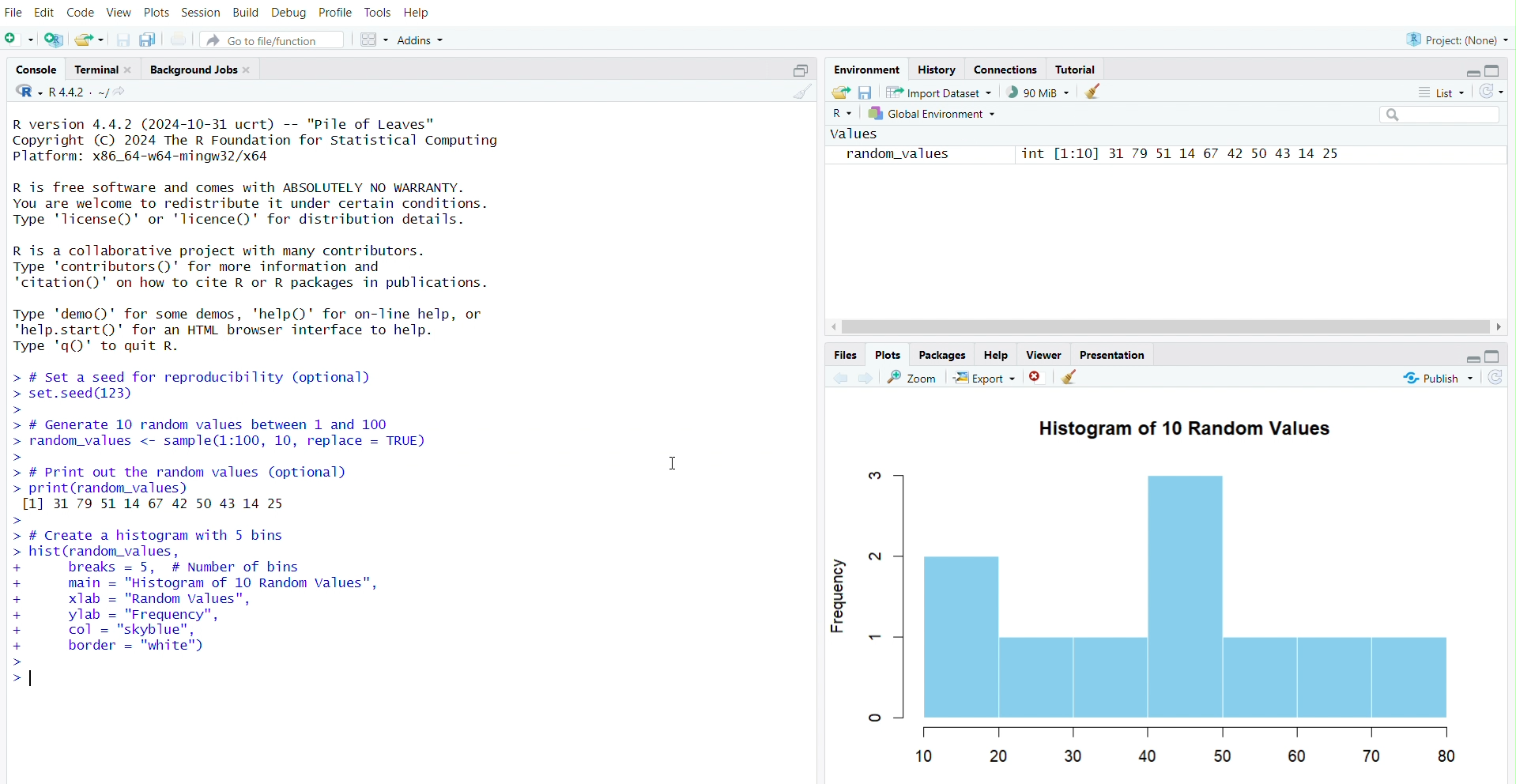 The image size is (1516, 784). What do you see at coordinates (1191, 428) in the screenshot?
I see `Histogram of 10 random values` at bounding box center [1191, 428].